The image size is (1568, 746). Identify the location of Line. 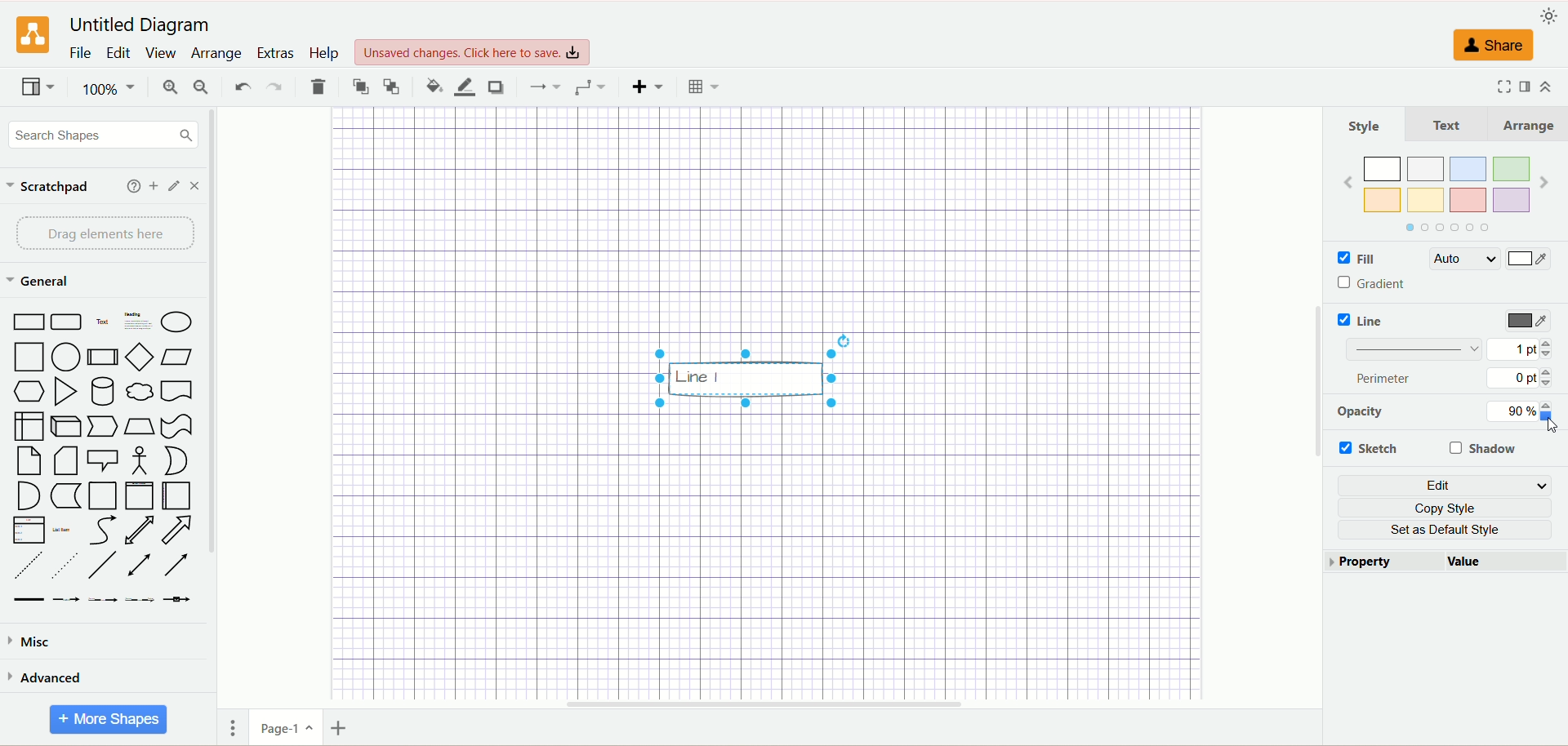
(1372, 322).